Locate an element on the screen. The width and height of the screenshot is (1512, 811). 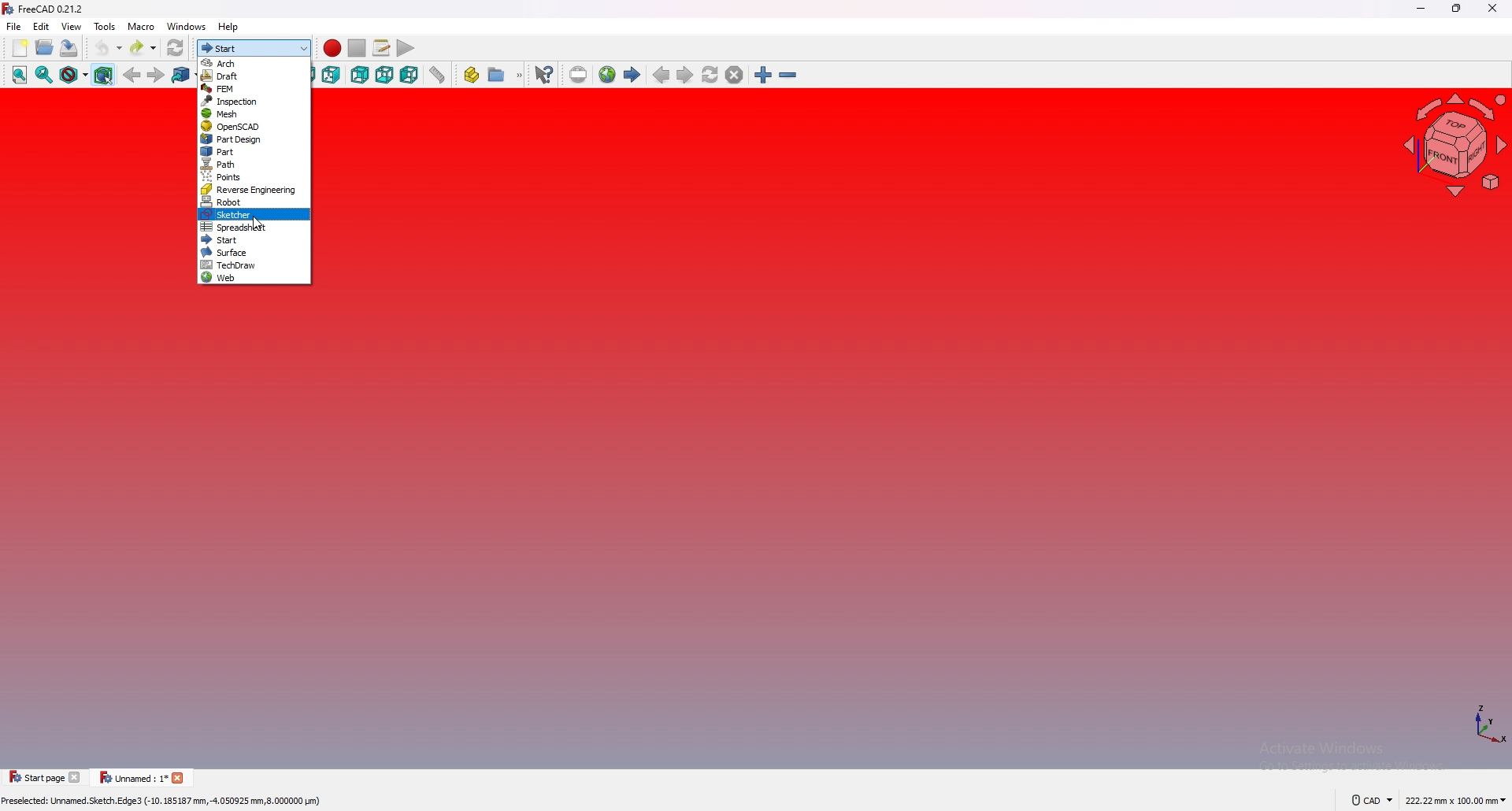
start page is located at coordinates (632, 74).